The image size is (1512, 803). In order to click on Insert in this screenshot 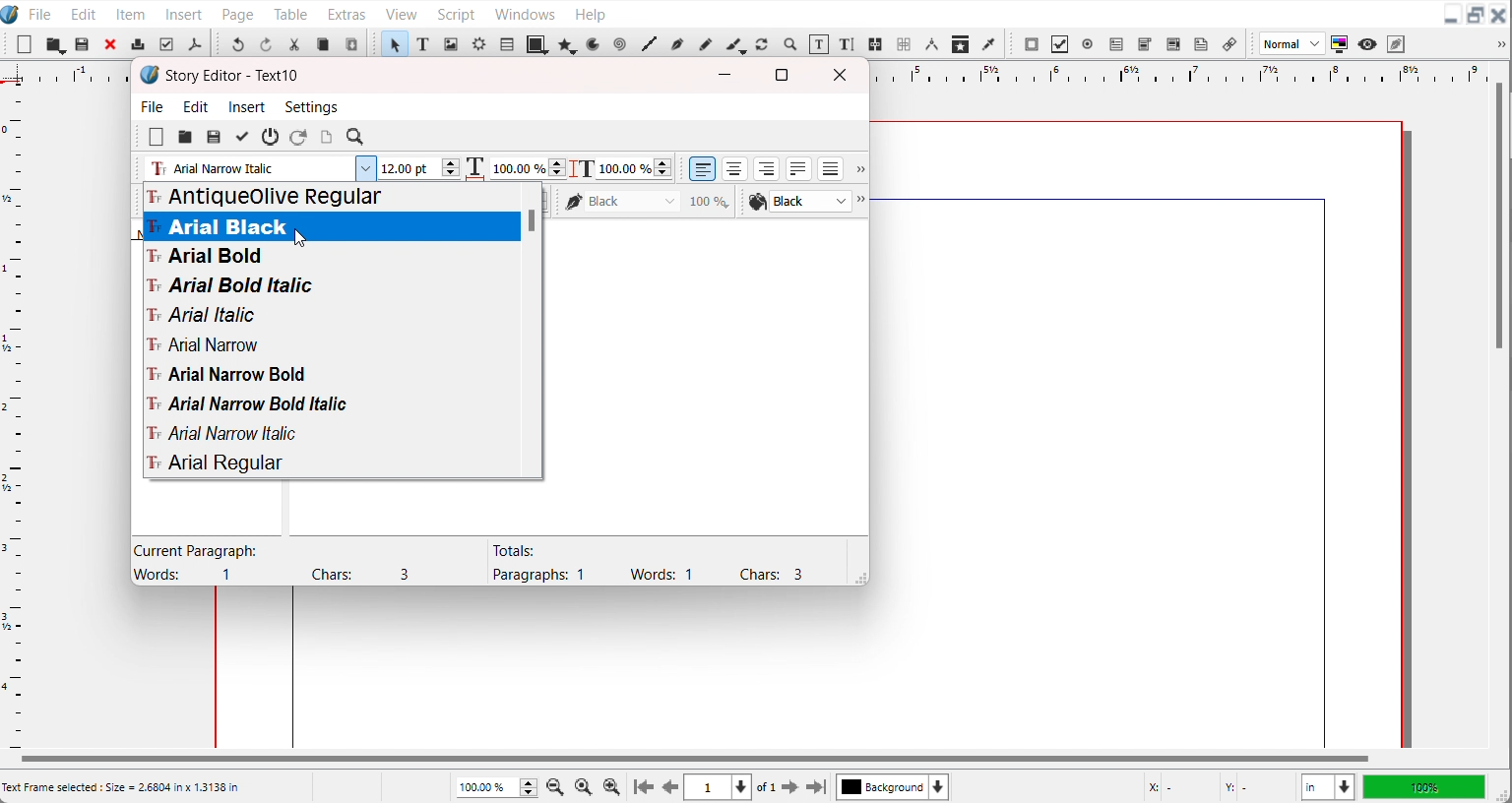, I will do `click(185, 13)`.